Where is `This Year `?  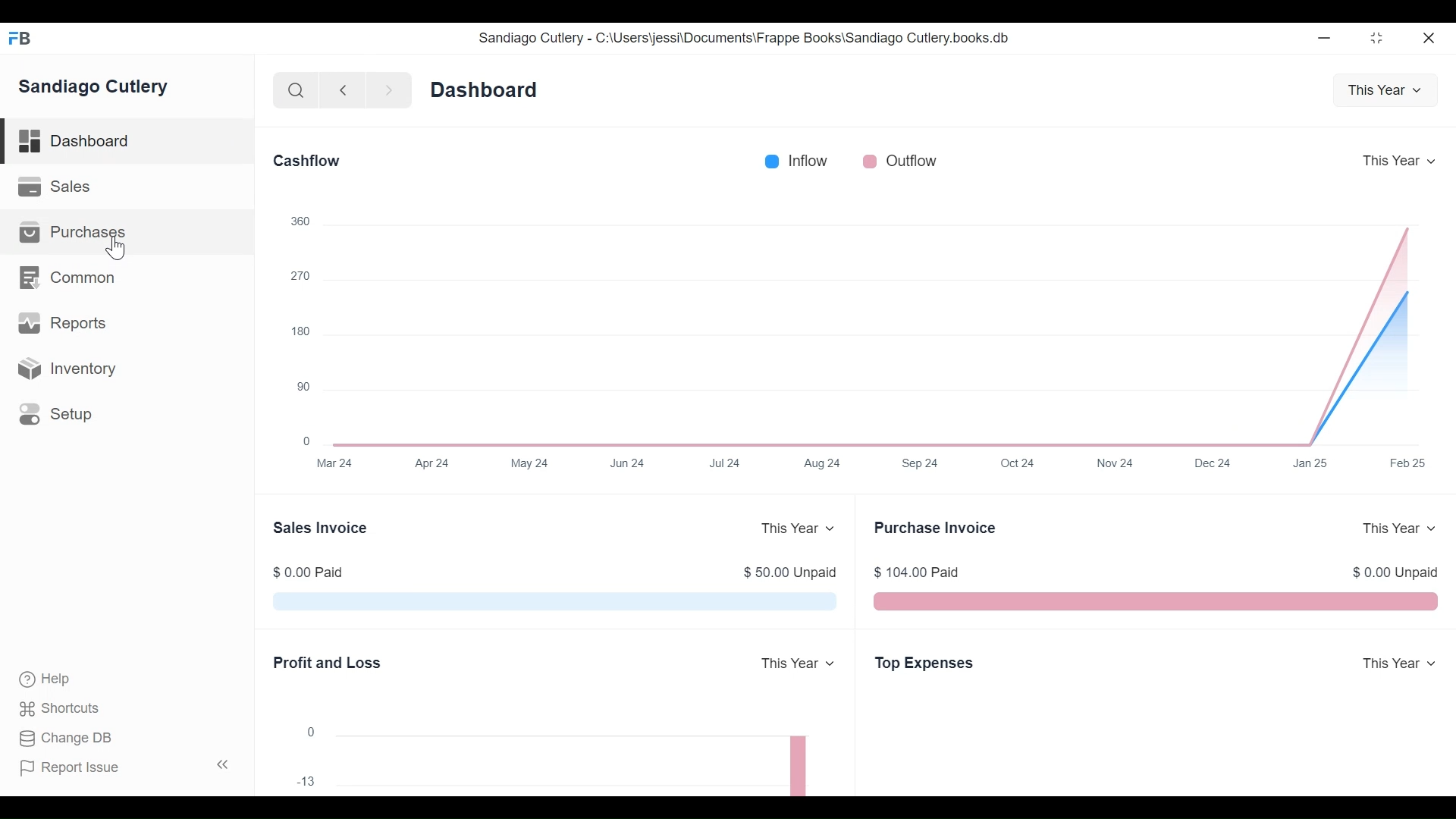 This Year  is located at coordinates (797, 528).